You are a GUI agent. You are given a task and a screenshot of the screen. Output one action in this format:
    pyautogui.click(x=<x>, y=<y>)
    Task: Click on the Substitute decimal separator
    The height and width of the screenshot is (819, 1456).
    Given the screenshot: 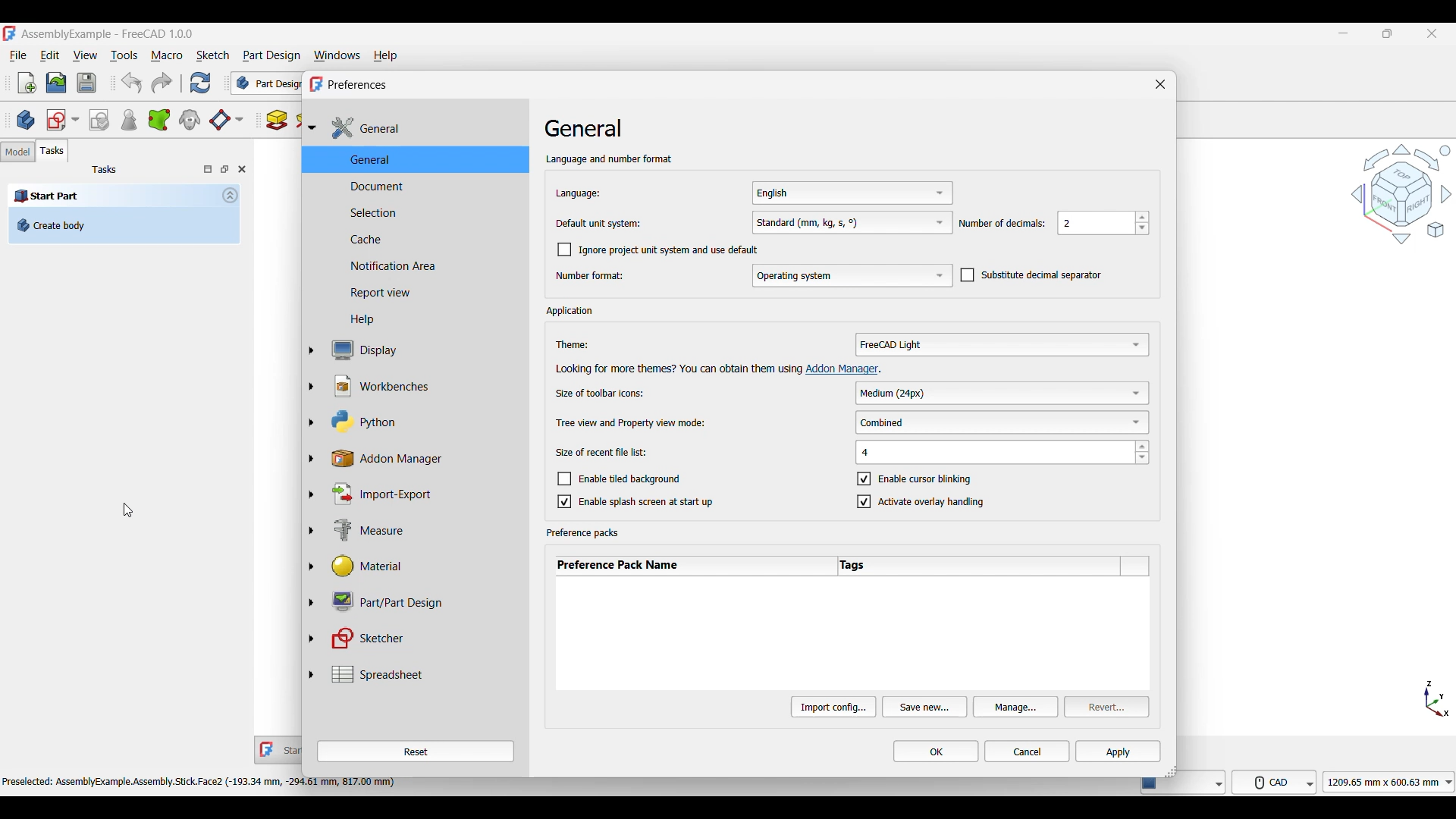 What is the action you would take?
    pyautogui.click(x=1031, y=275)
    